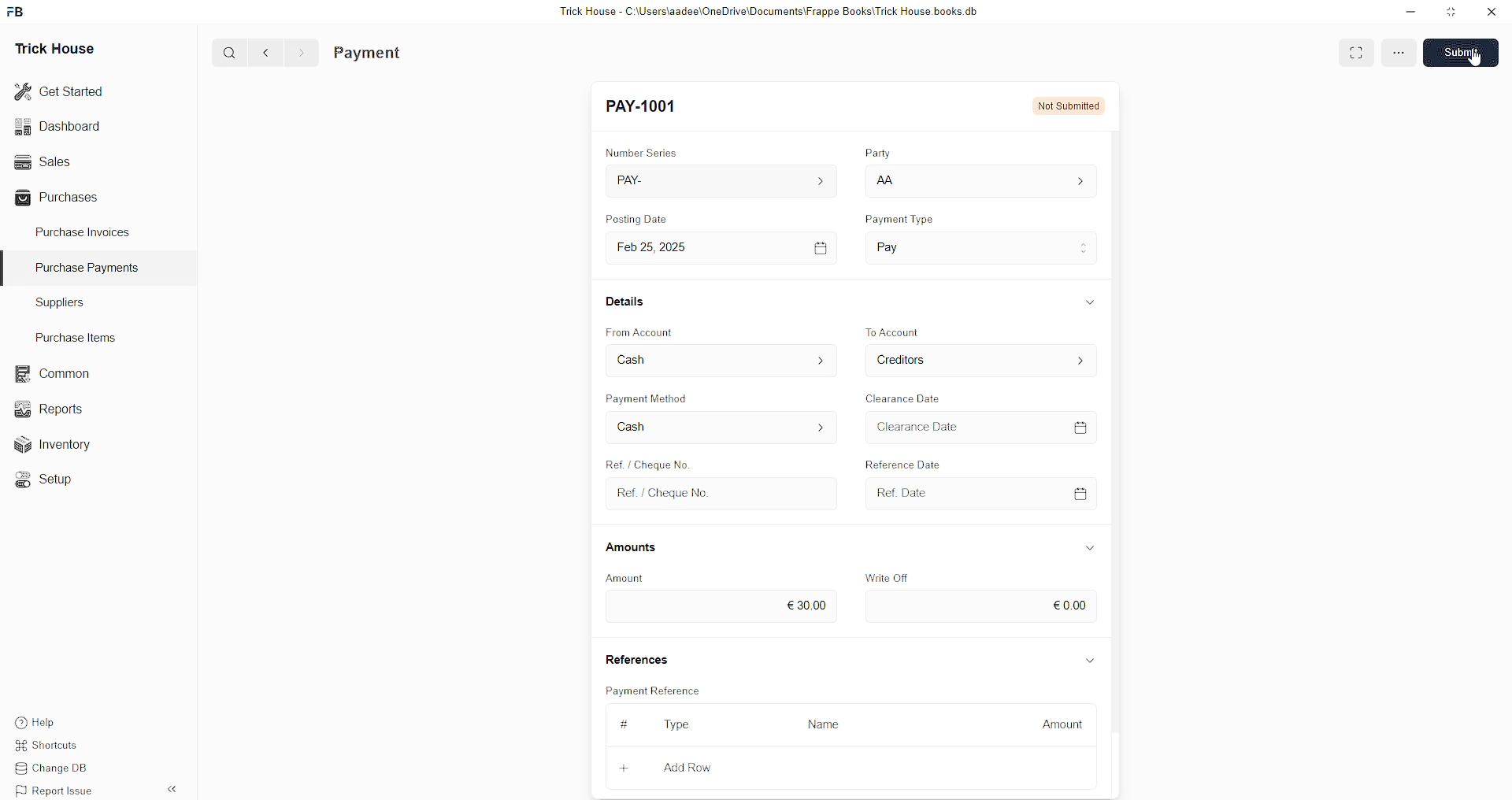 The width and height of the screenshot is (1512, 800). What do you see at coordinates (905, 461) in the screenshot?
I see `Reference Date` at bounding box center [905, 461].